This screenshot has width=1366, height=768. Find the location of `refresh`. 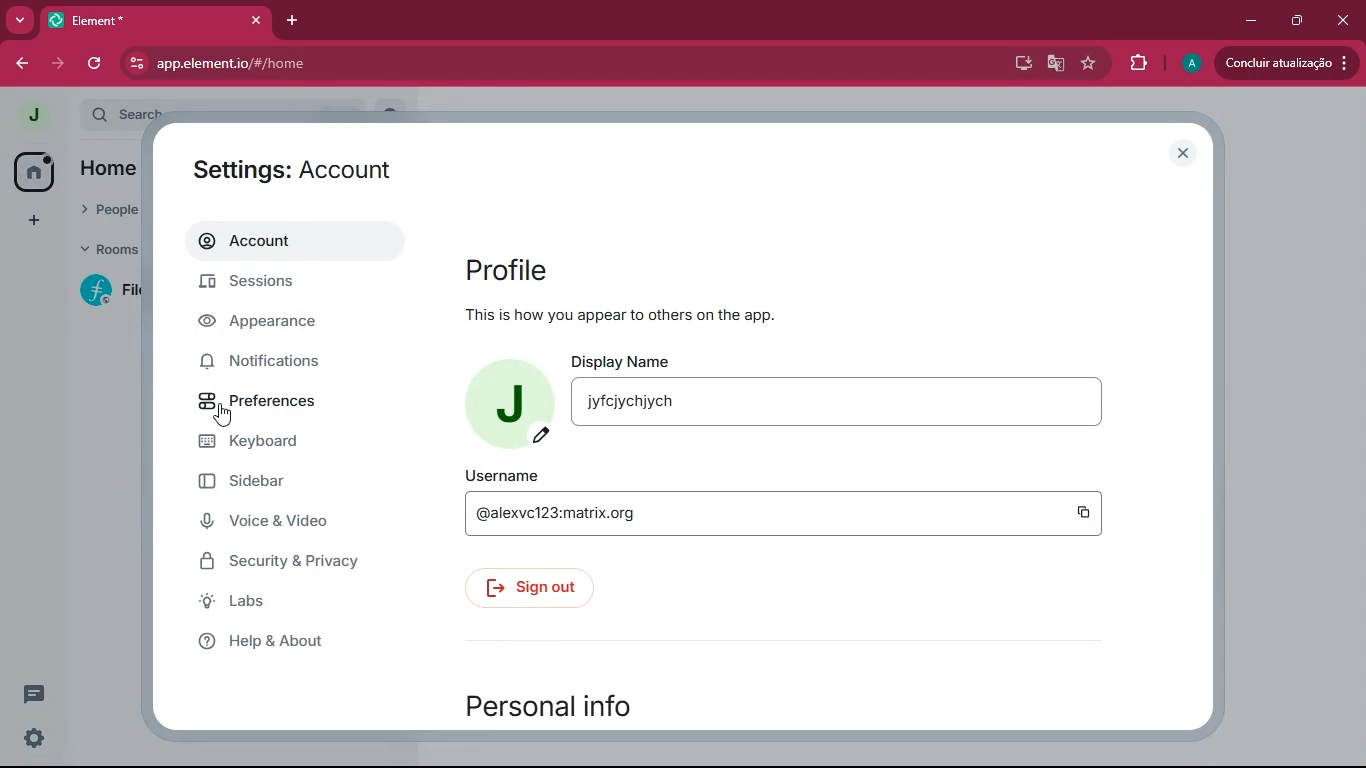

refresh is located at coordinates (96, 64).